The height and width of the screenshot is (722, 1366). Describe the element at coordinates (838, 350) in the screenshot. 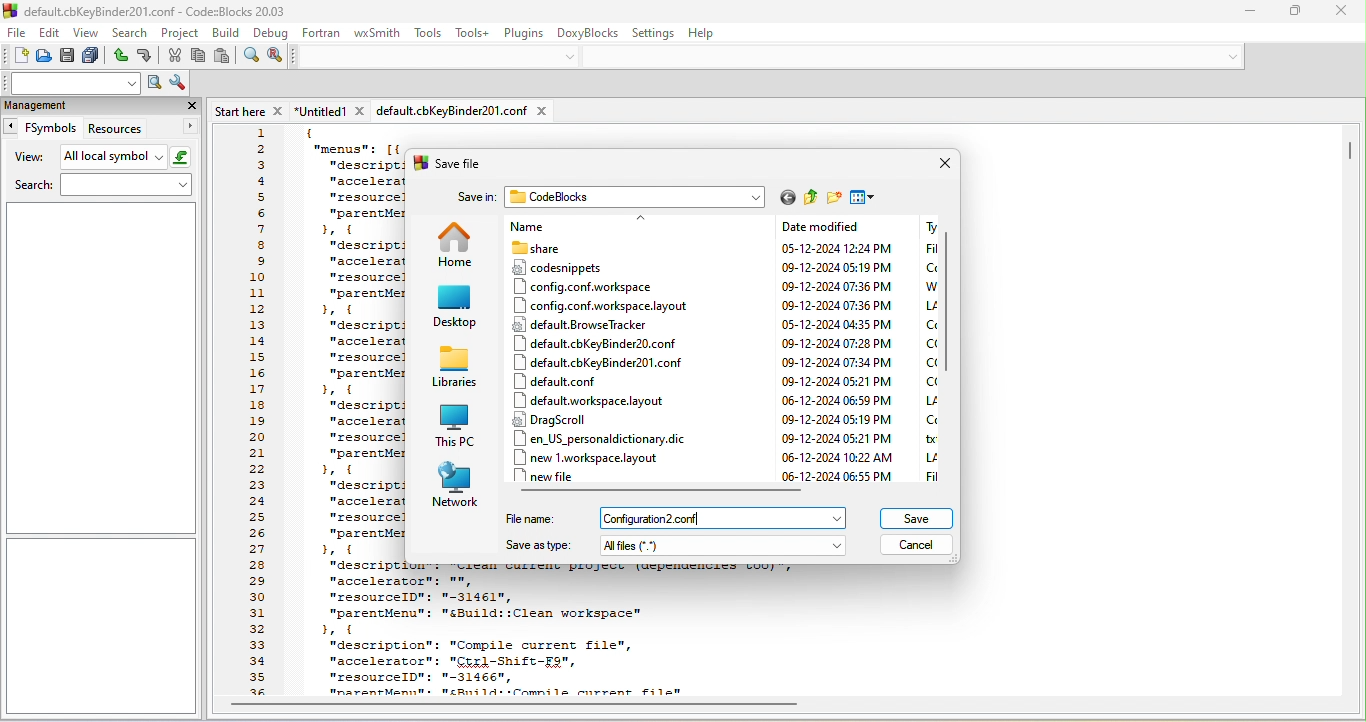

I see `date modified` at that location.